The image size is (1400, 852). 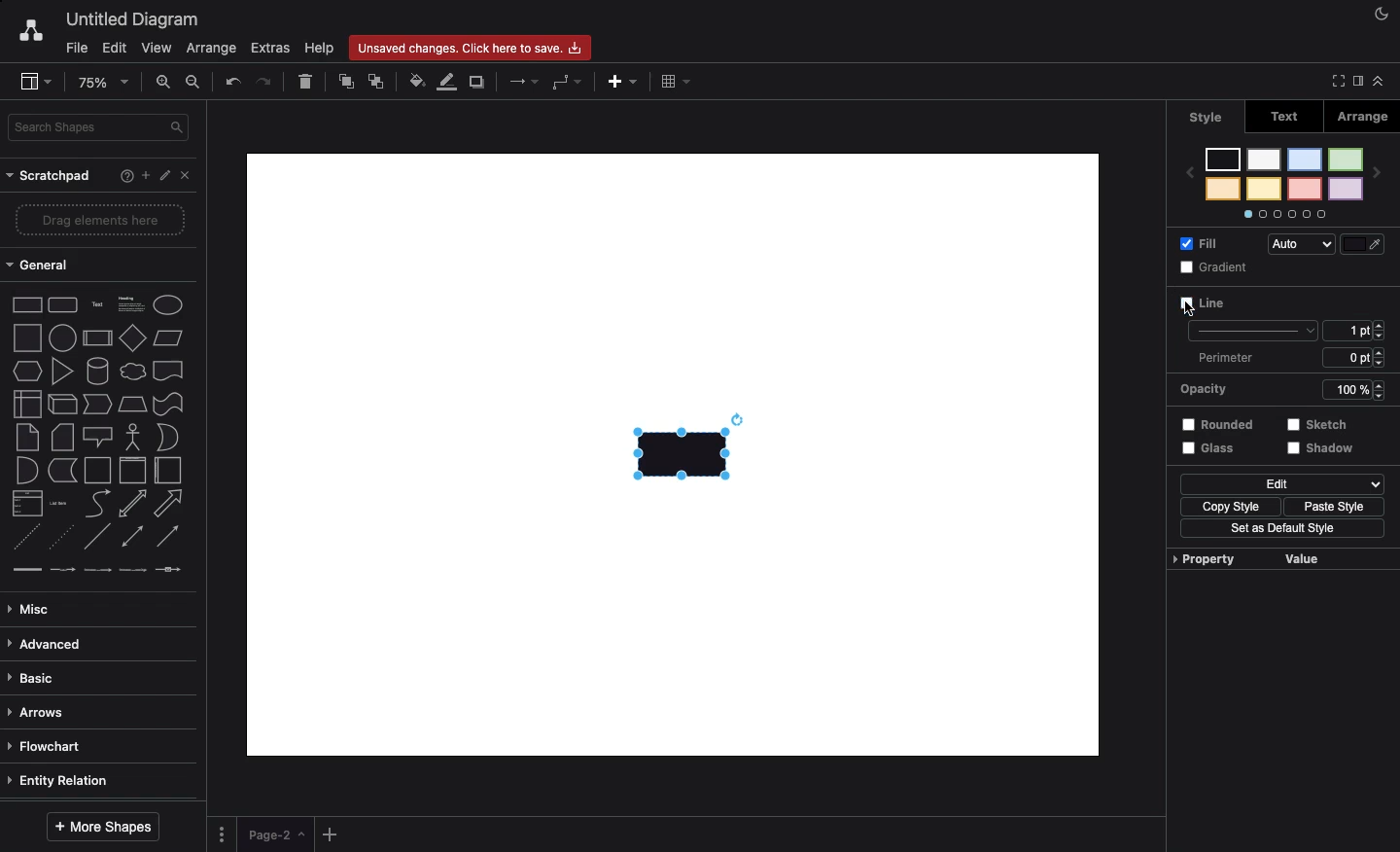 I want to click on Help, so click(x=122, y=176).